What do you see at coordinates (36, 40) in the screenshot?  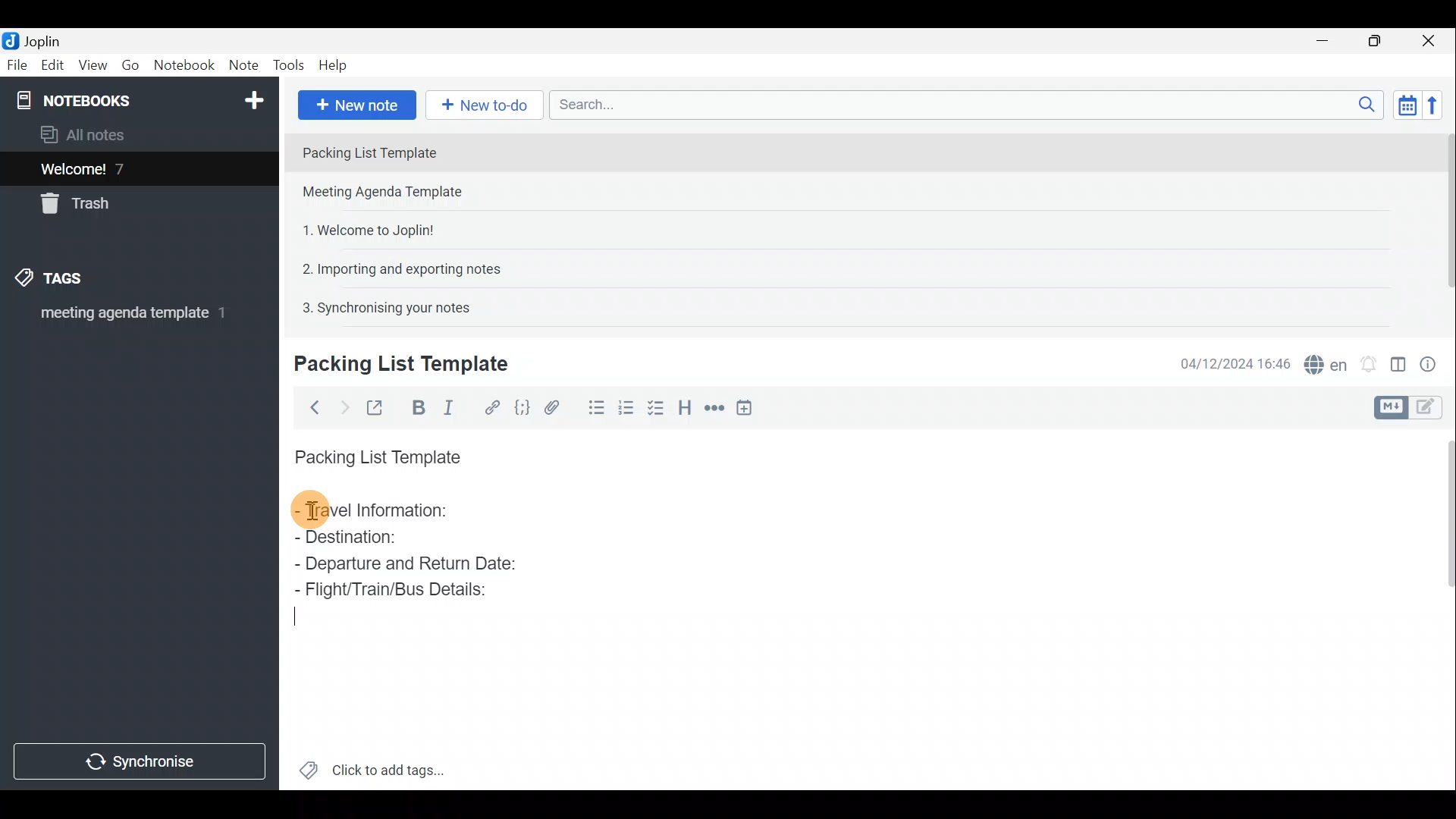 I see `Joplin` at bounding box center [36, 40].